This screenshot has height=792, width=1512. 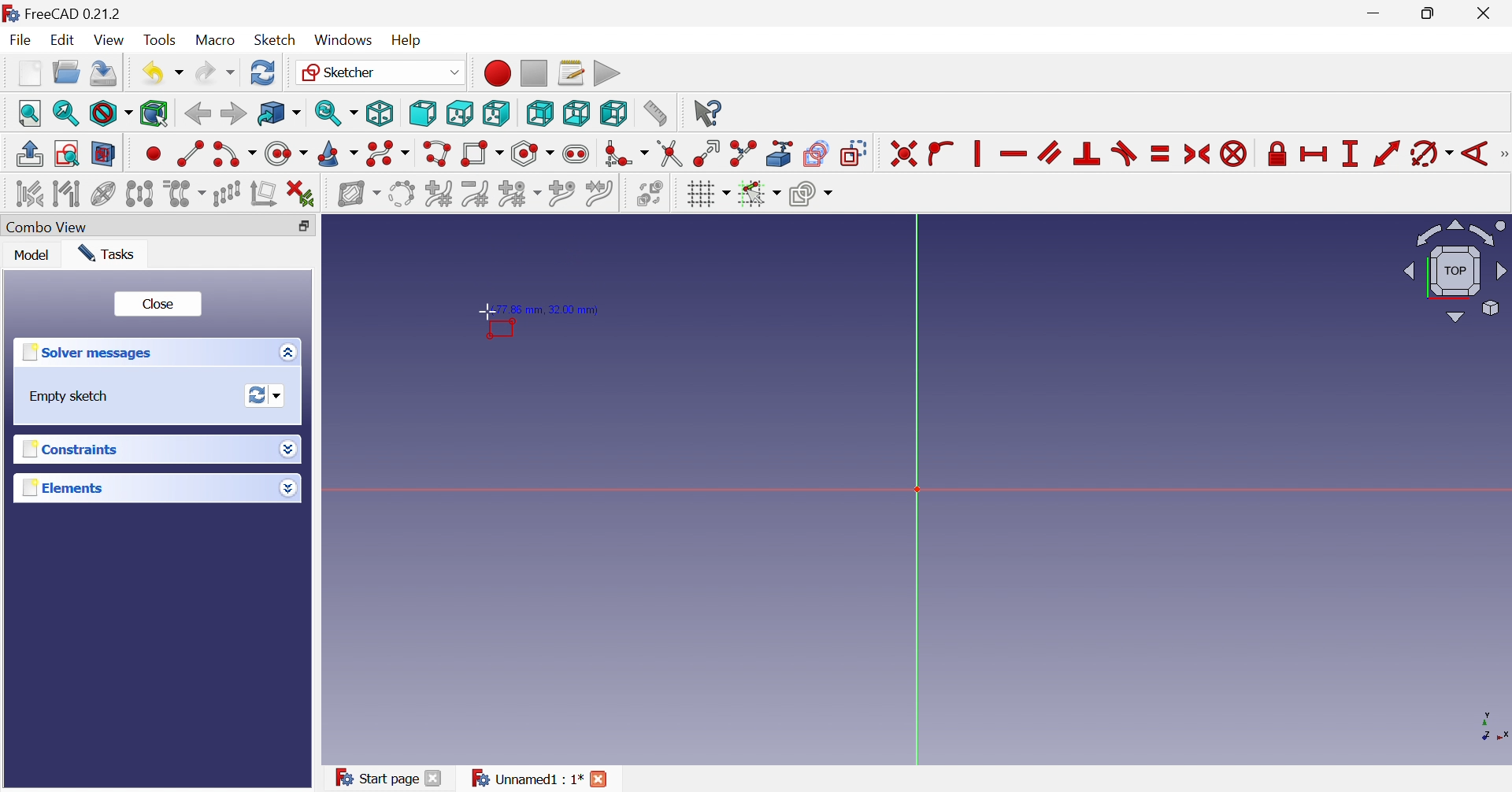 I want to click on Sync view, so click(x=336, y=113).